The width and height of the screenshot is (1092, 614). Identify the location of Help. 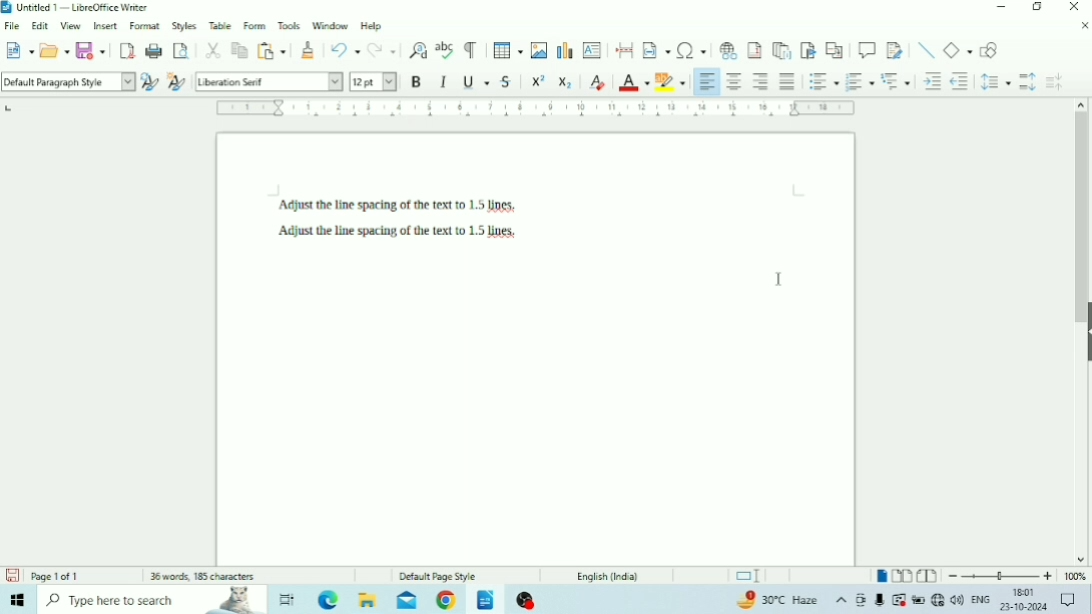
(372, 26).